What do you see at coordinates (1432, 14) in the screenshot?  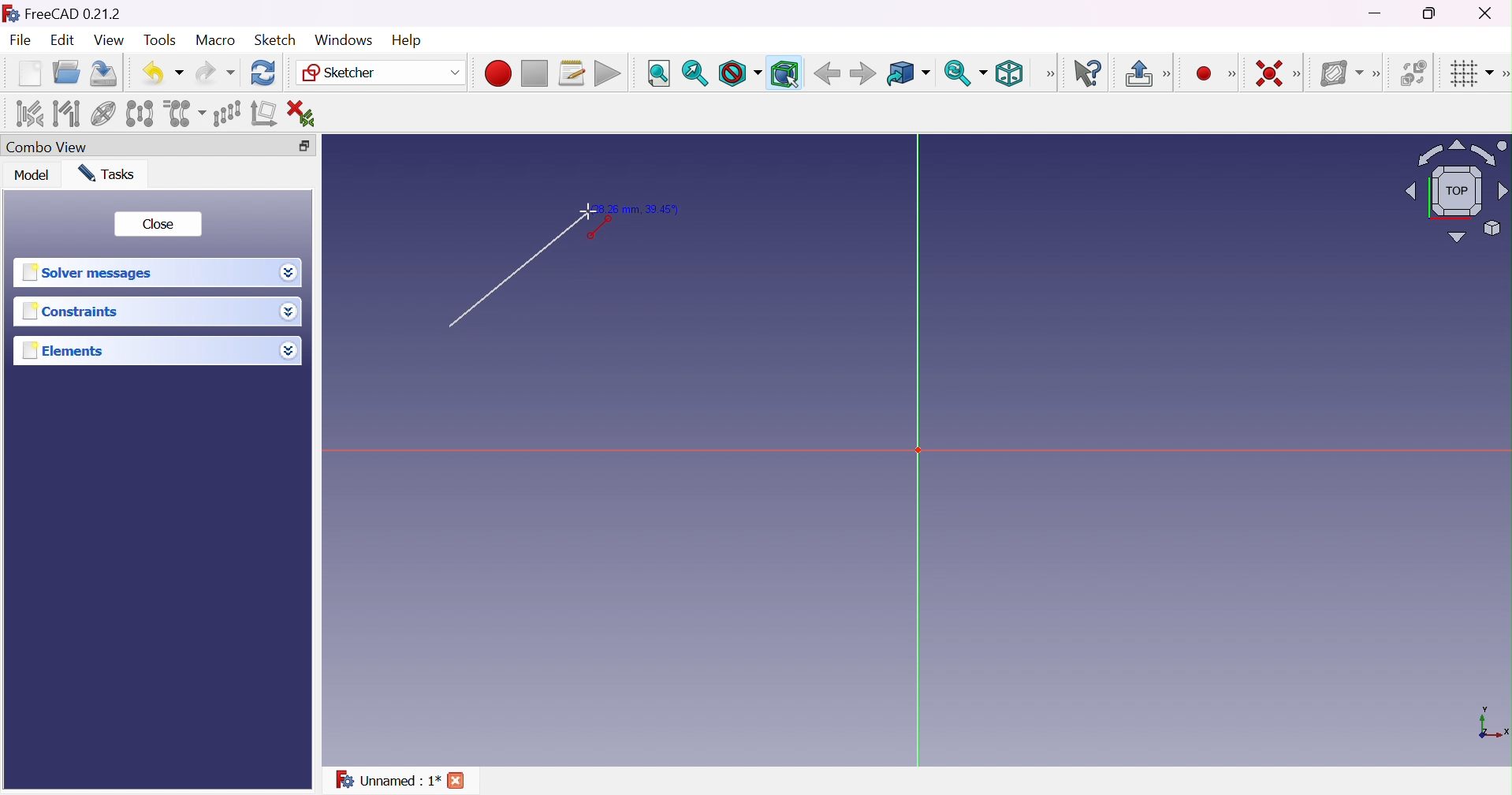 I see `Restore down` at bounding box center [1432, 14].